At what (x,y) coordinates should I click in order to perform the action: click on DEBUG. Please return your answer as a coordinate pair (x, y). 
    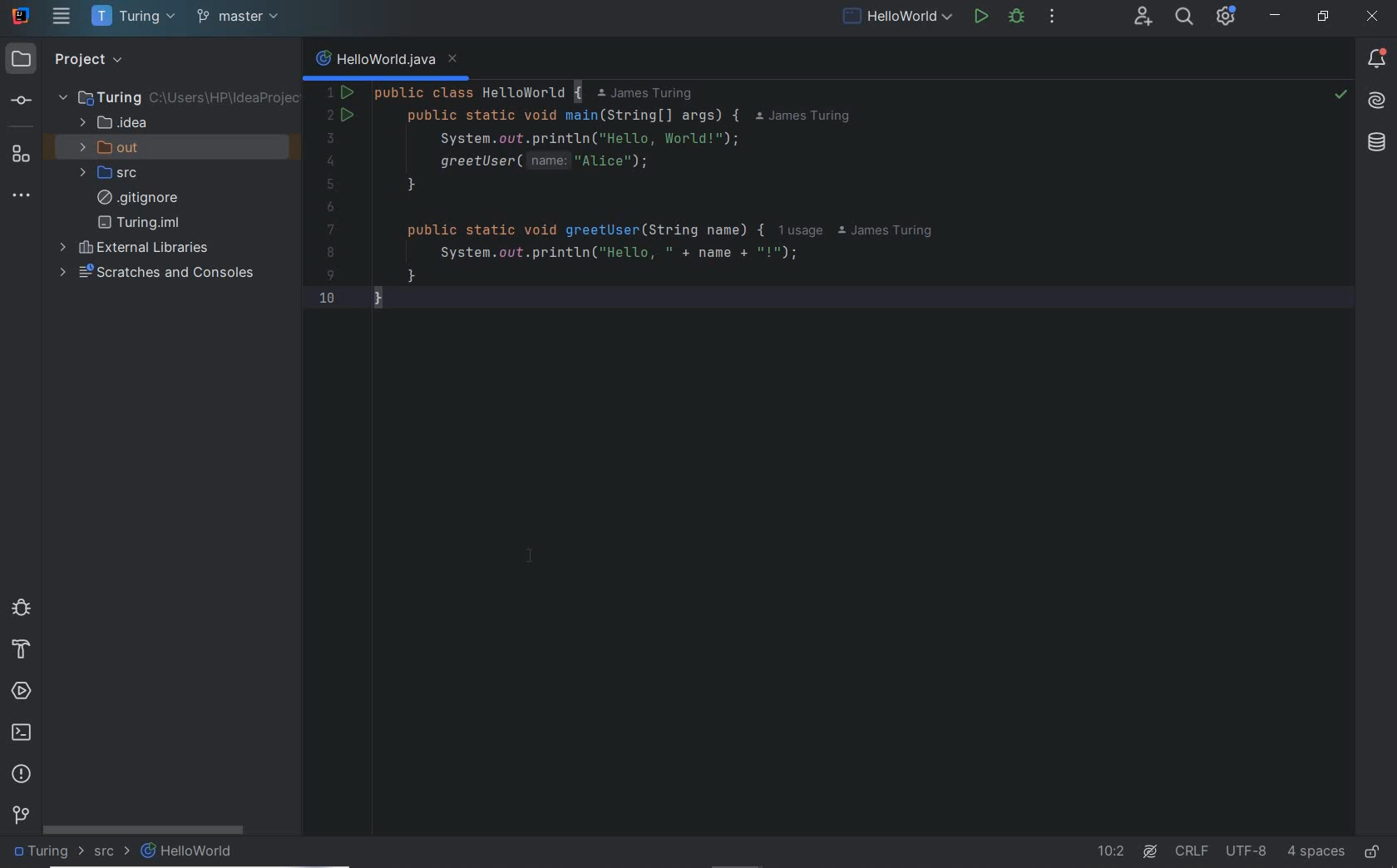
    Looking at the image, I should click on (1016, 16).